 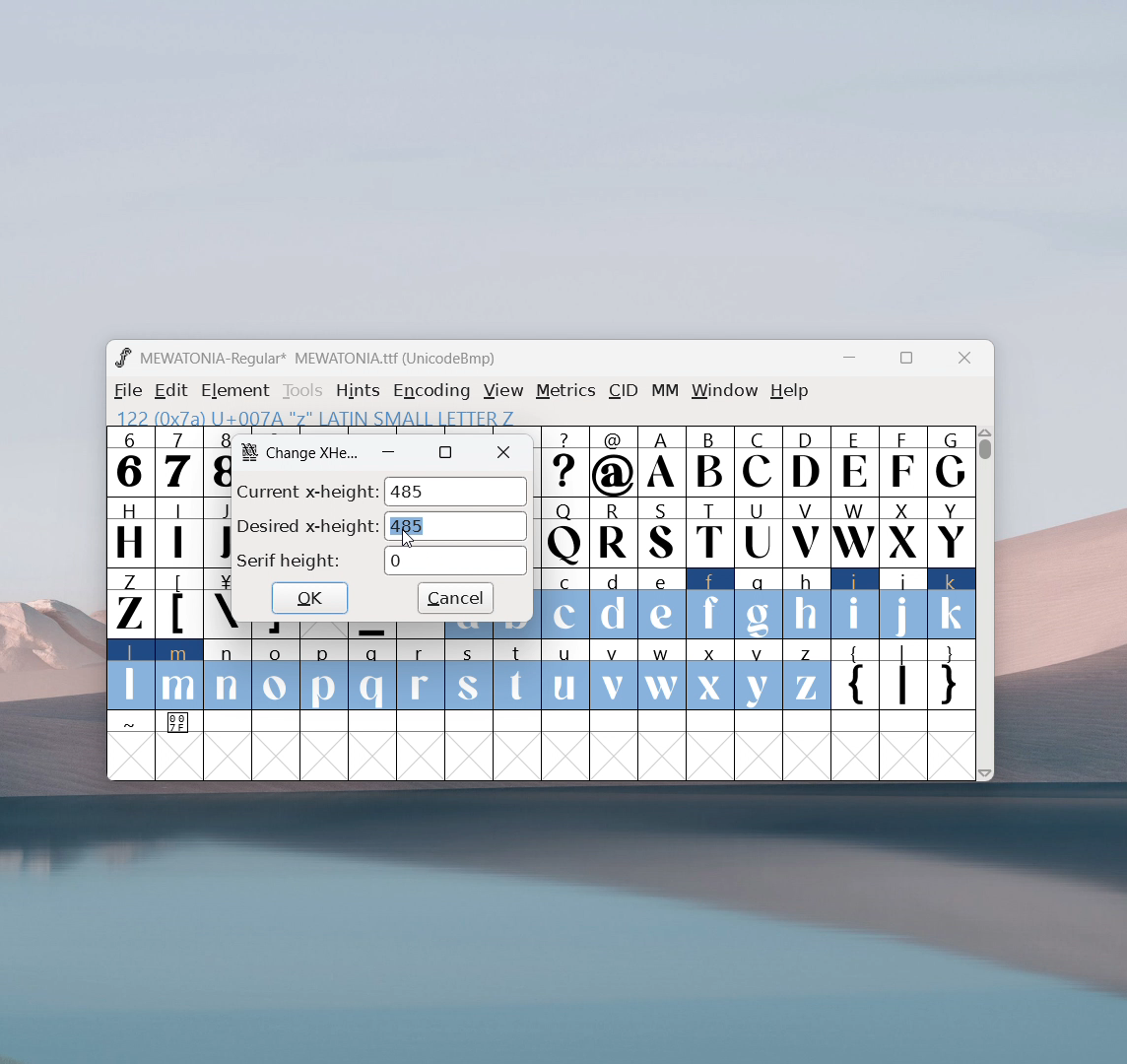 I want to click on 7, so click(x=177, y=461).